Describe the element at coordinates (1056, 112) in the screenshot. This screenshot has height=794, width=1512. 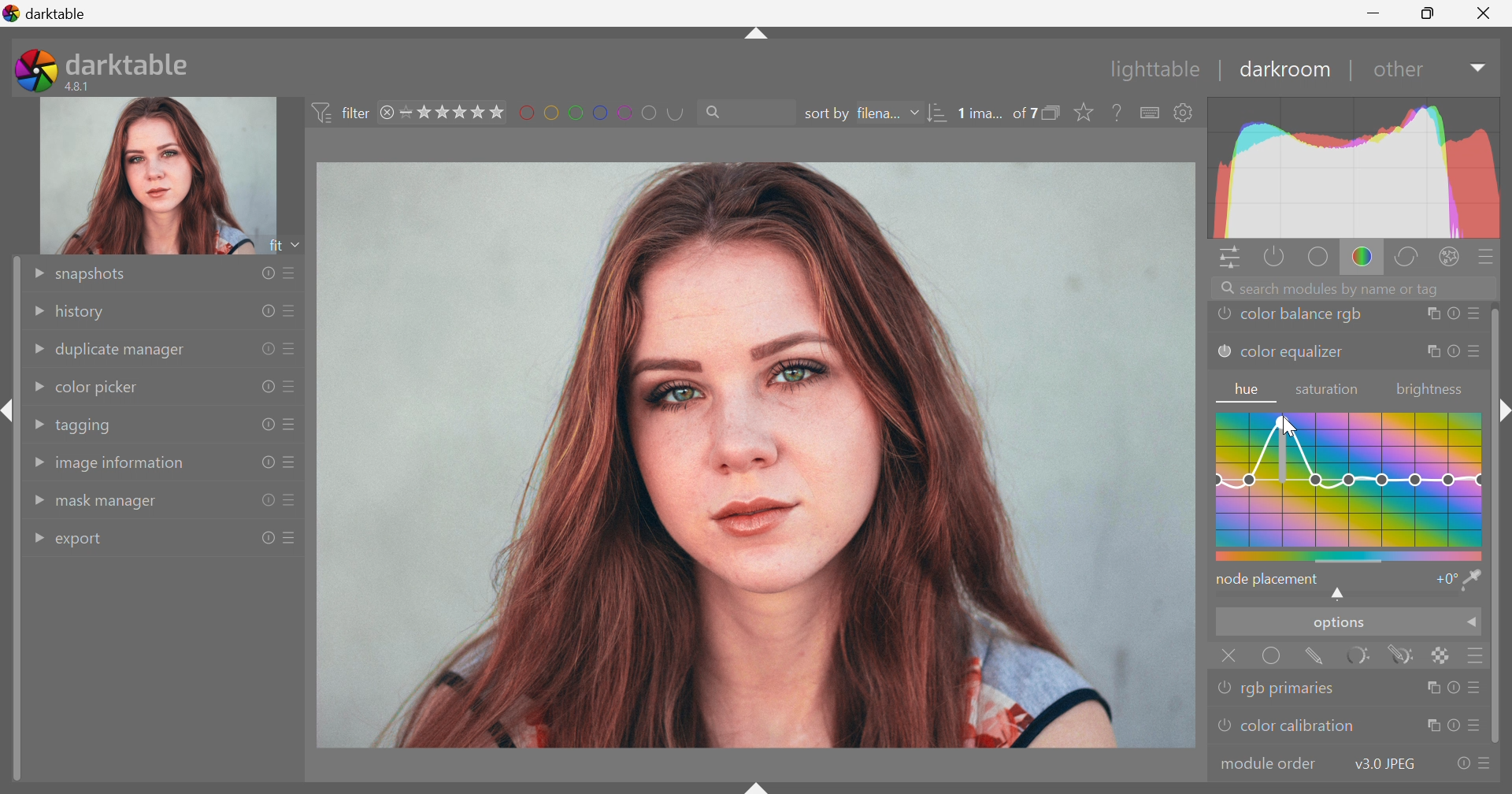
I see `collapse grouped images` at that location.